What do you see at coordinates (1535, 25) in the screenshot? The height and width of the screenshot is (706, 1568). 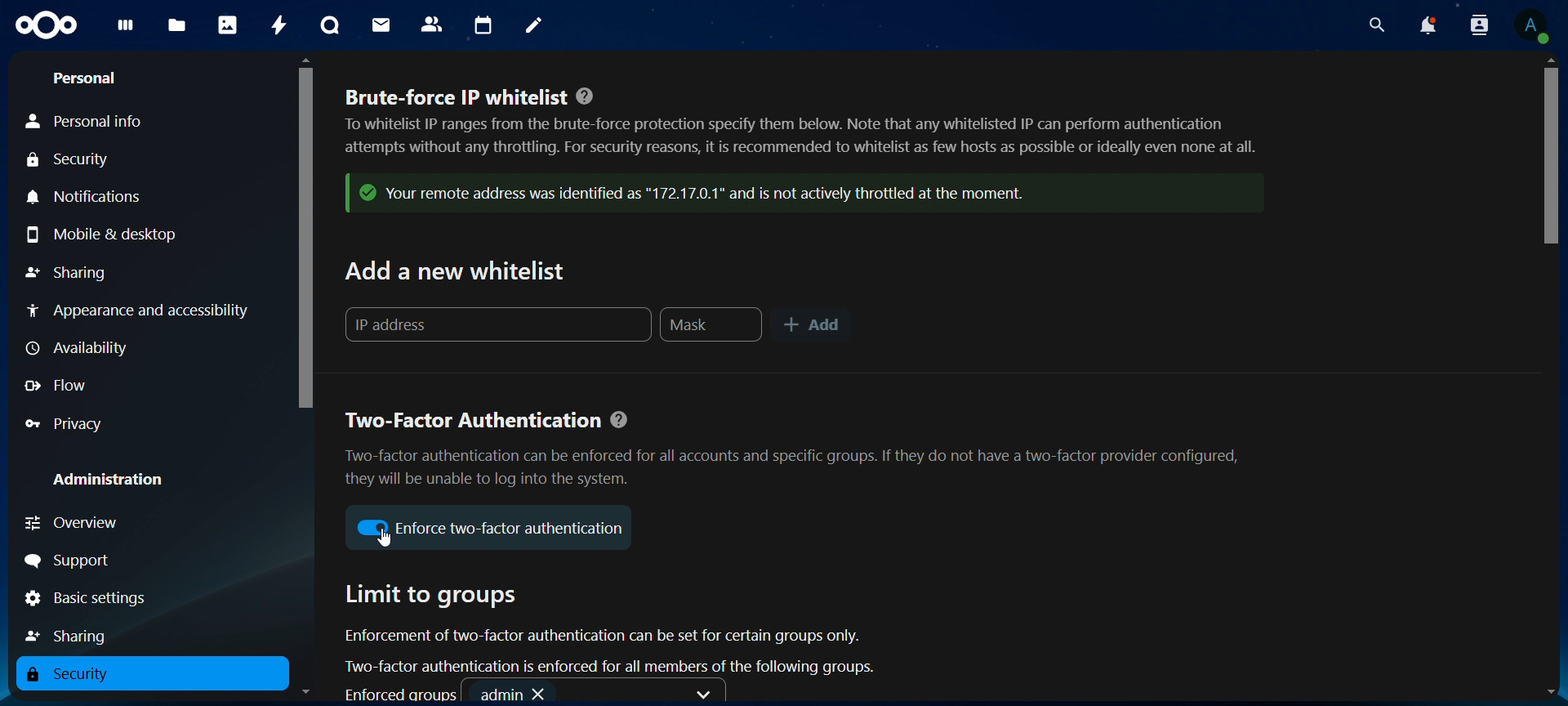 I see `view profile` at bounding box center [1535, 25].